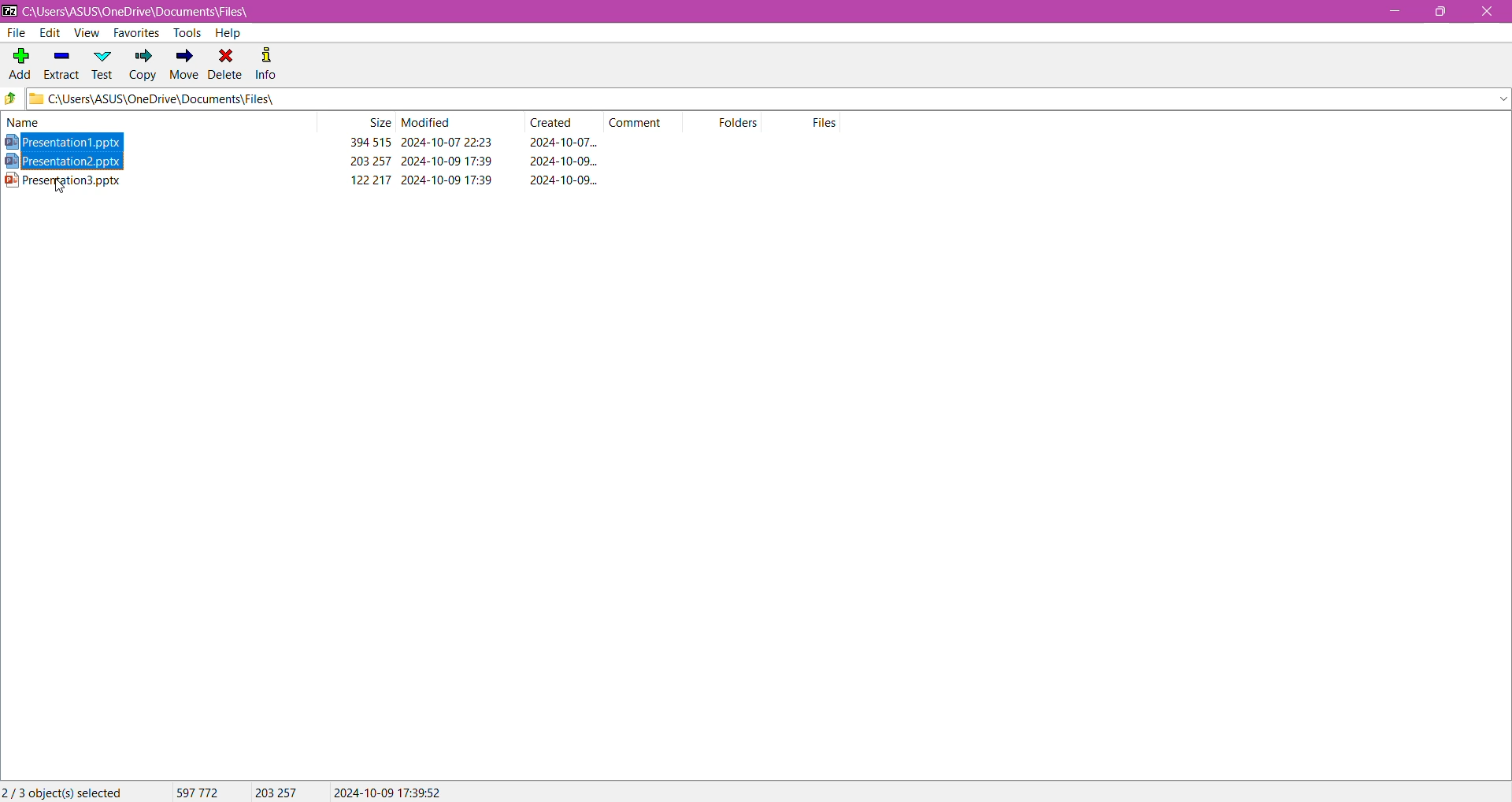 The image size is (1512, 802). What do you see at coordinates (49, 33) in the screenshot?
I see `Edit` at bounding box center [49, 33].